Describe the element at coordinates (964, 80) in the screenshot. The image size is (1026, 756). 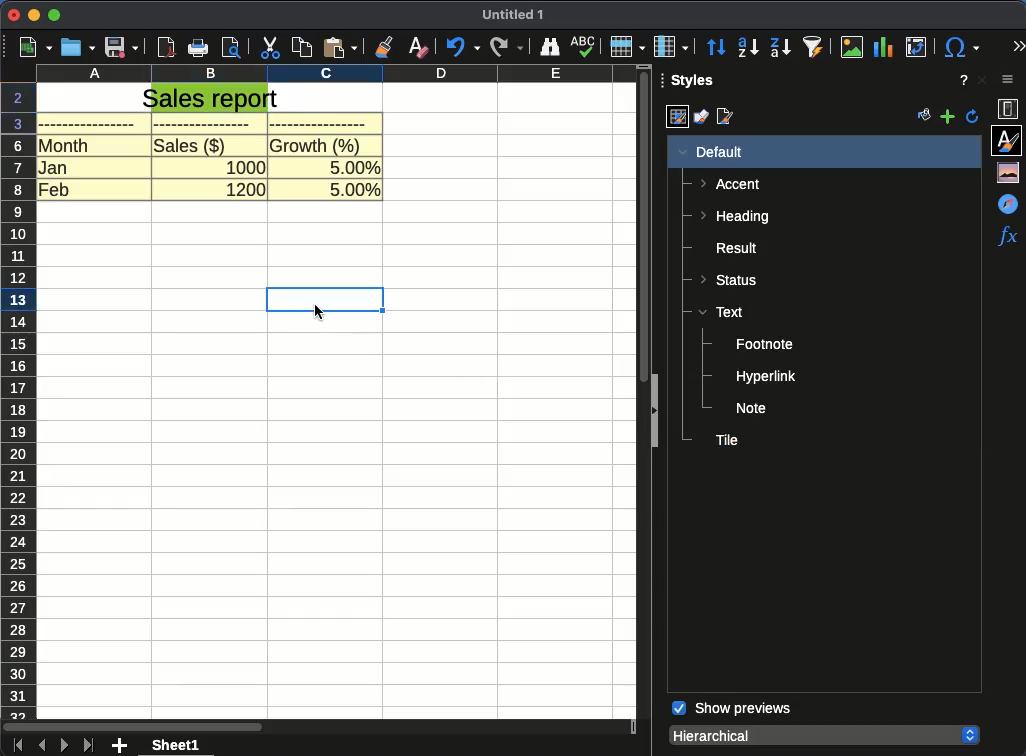
I see `help` at that location.